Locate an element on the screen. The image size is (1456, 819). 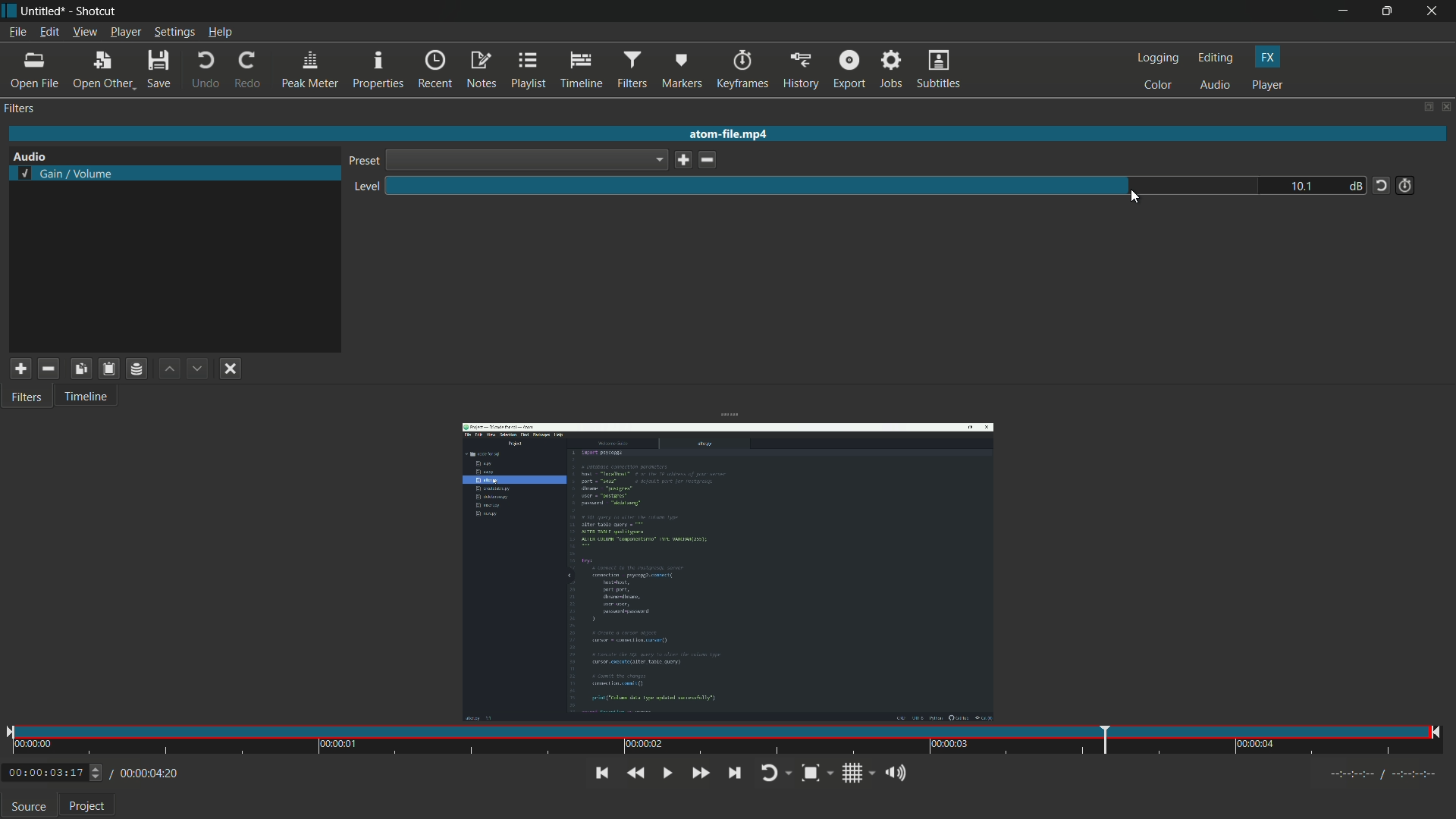
jobs is located at coordinates (893, 71).